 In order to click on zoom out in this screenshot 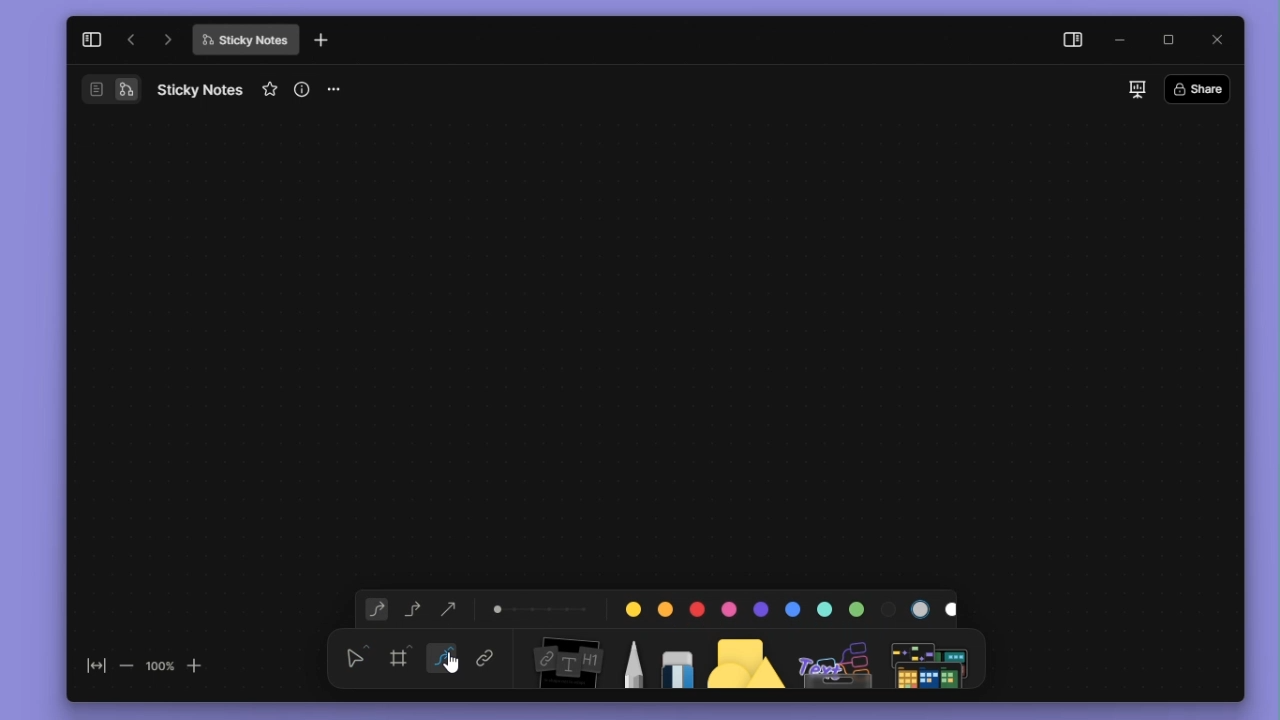, I will do `click(125, 665)`.